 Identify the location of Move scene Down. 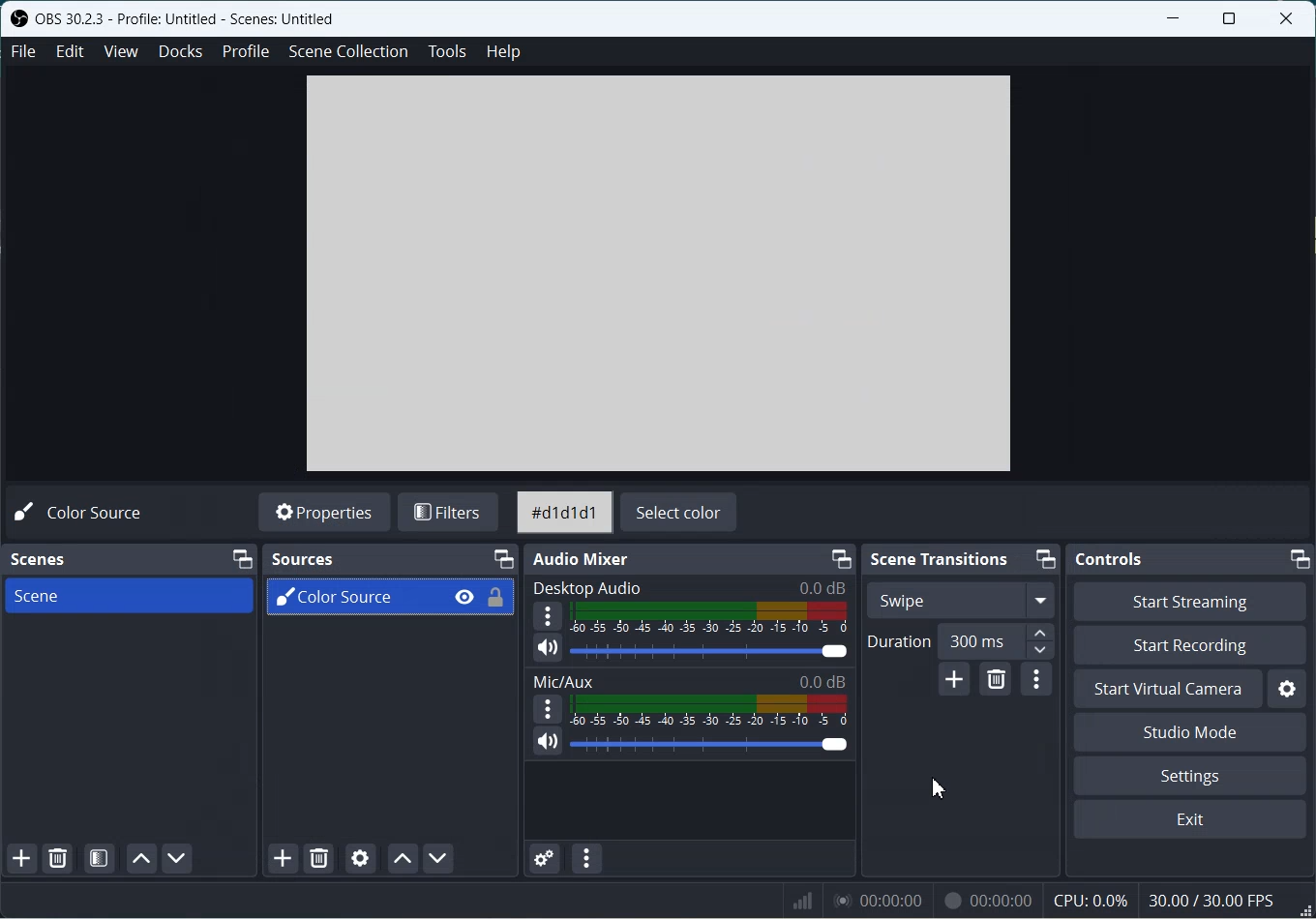
(177, 858).